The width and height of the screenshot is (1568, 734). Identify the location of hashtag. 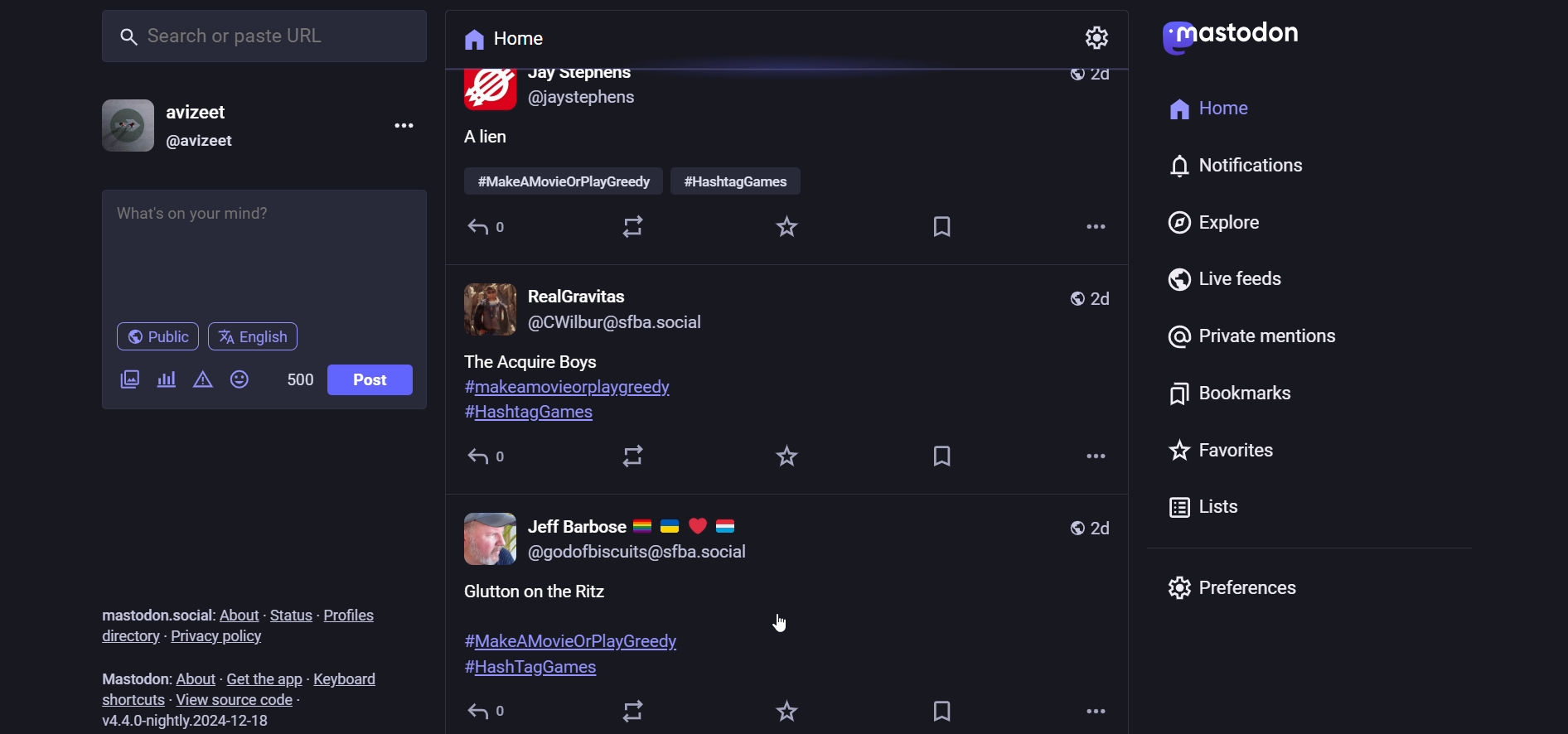
(733, 184).